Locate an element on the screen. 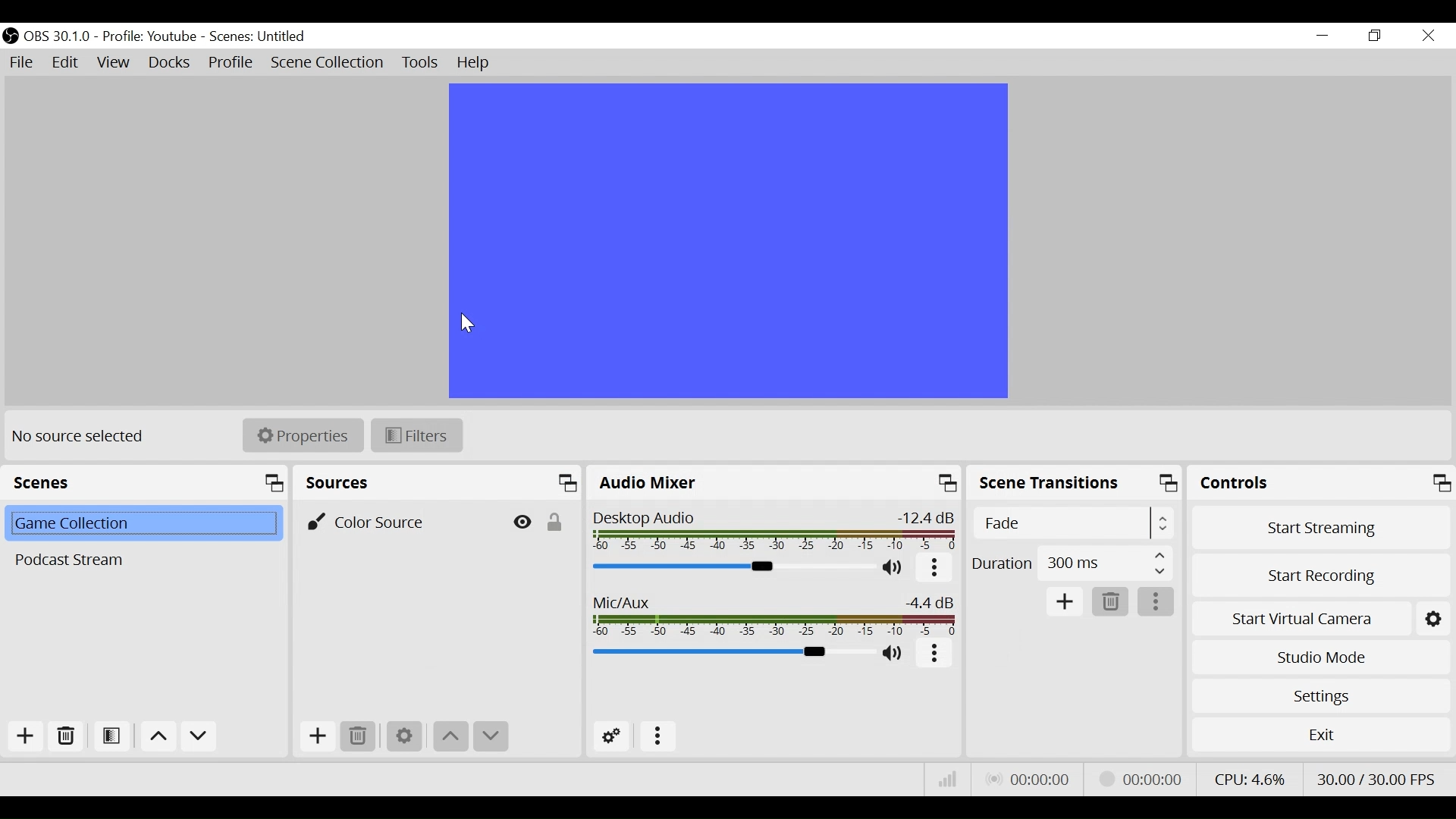  Move up is located at coordinates (156, 736).